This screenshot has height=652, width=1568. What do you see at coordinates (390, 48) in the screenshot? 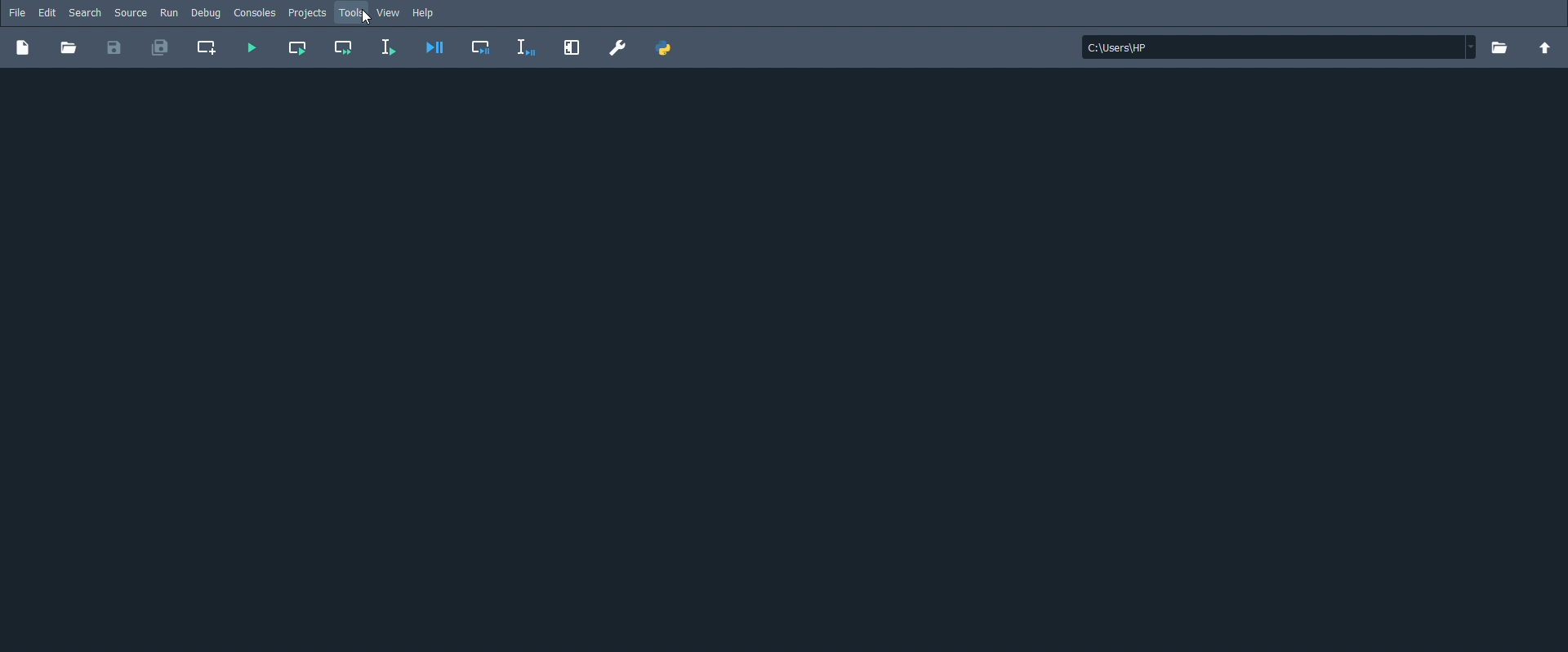
I see `Run selection or current line` at bounding box center [390, 48].